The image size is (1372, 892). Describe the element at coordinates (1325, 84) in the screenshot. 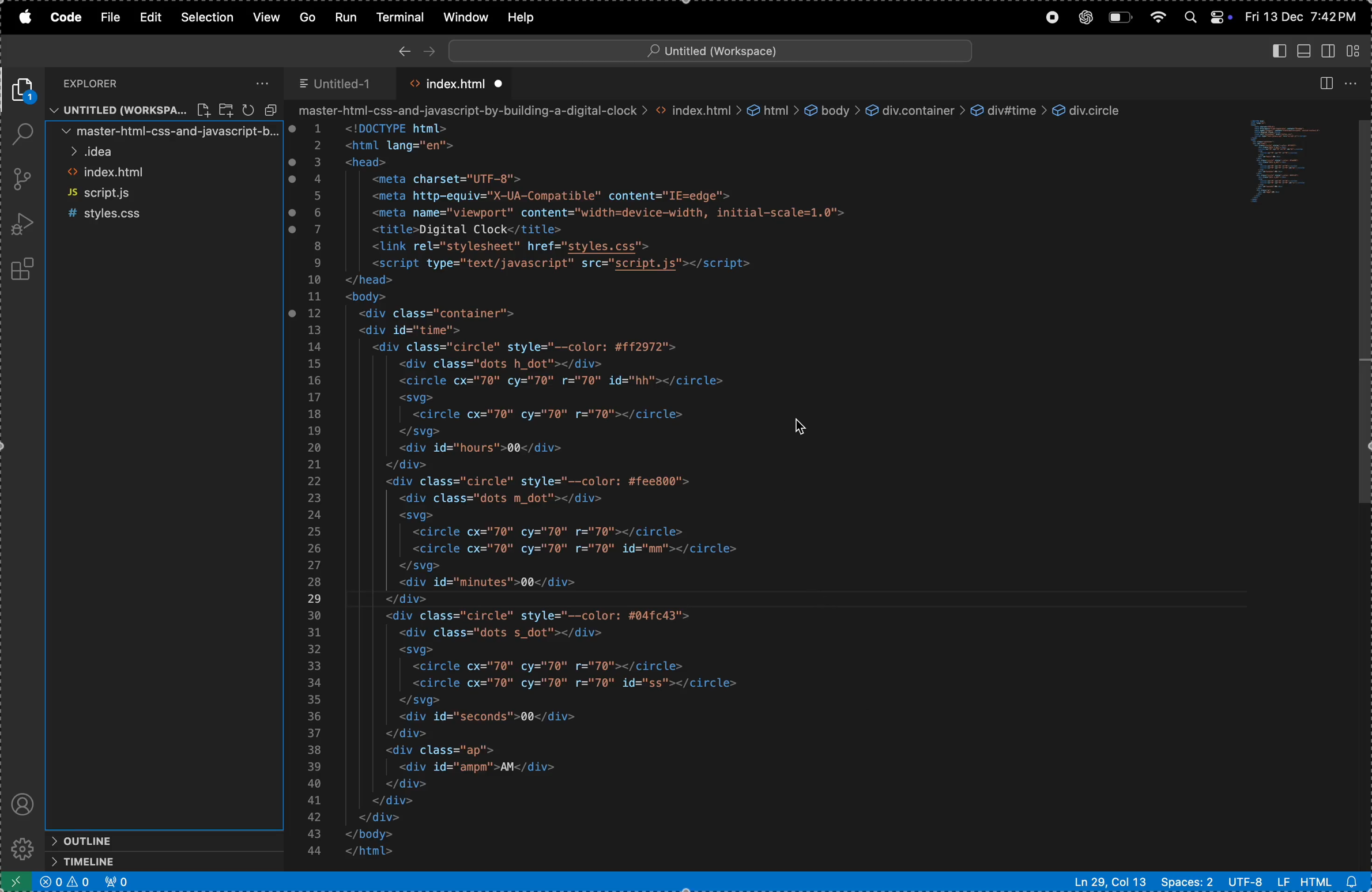

I see `split editor right` at that location.